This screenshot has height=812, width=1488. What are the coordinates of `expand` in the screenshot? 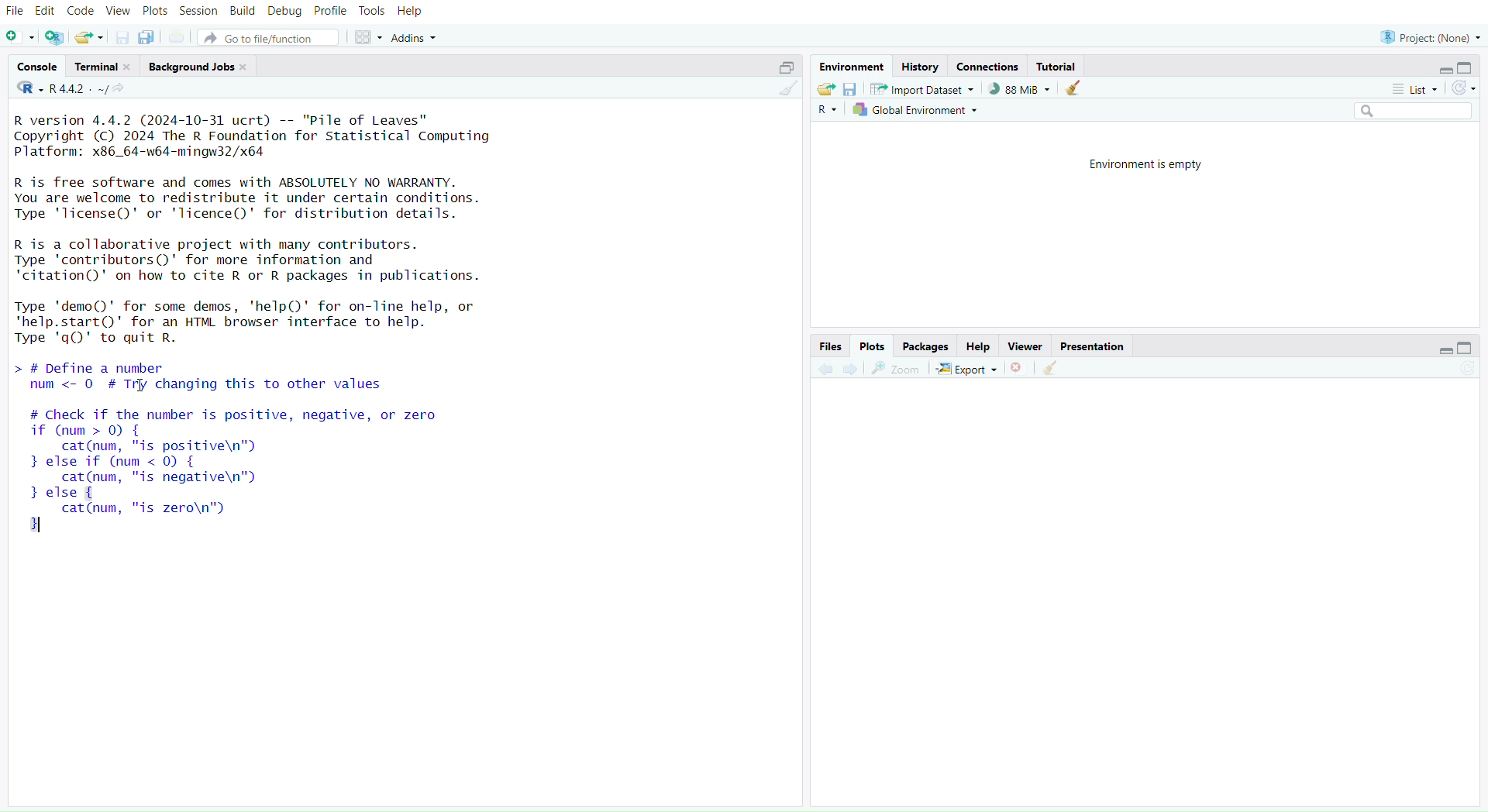 It's located at (1438, 352).